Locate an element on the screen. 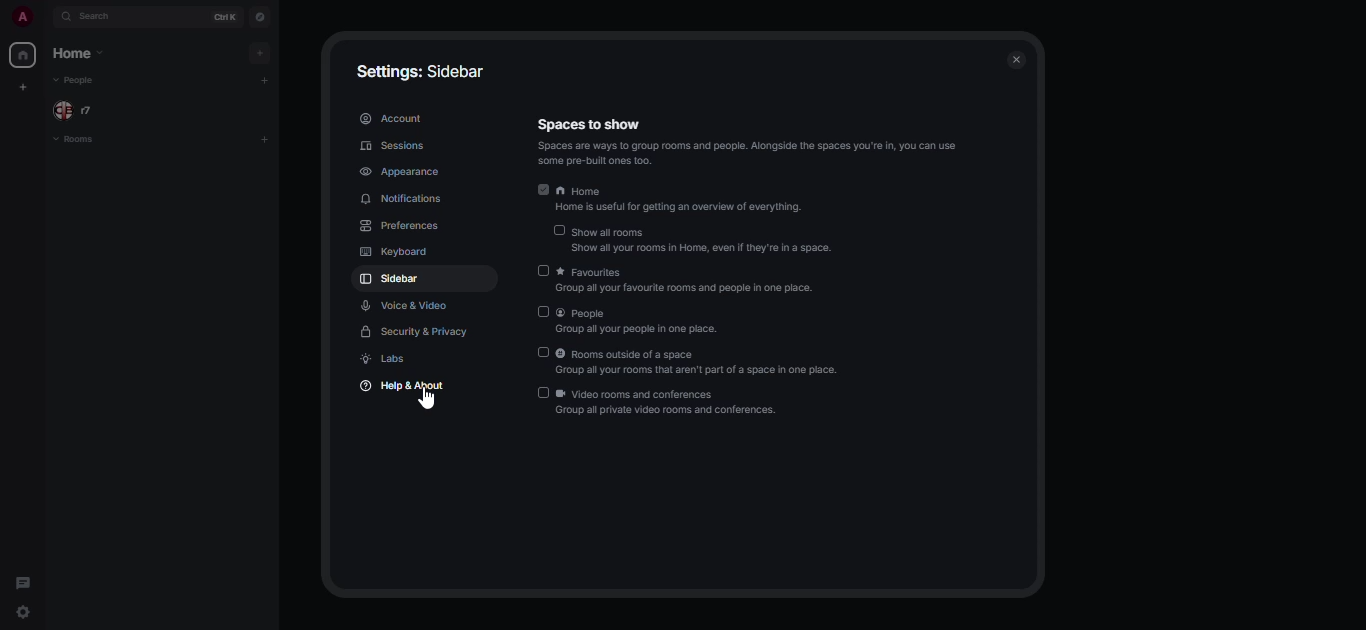  expand is located at coordinates (46, 16).